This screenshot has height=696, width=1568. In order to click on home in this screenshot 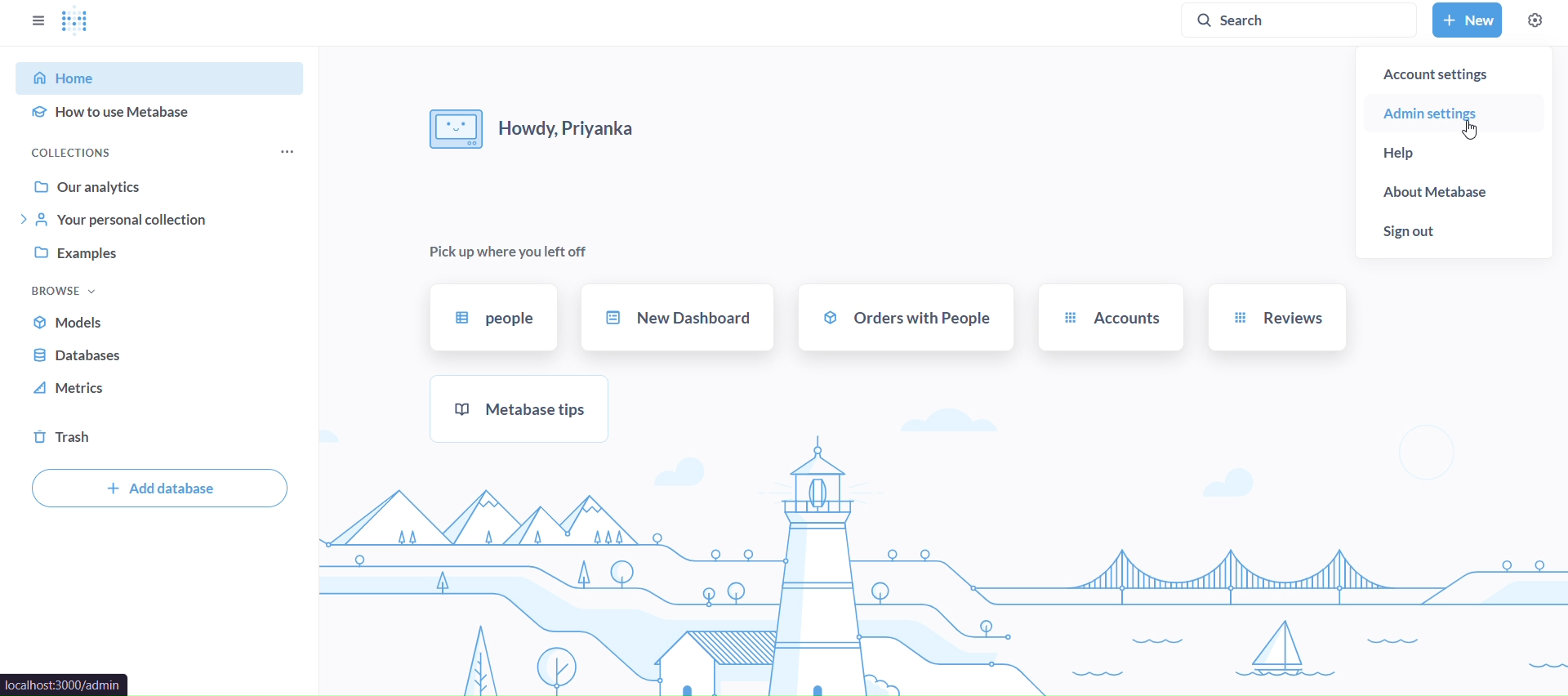, I will do `click(163, 77)`.